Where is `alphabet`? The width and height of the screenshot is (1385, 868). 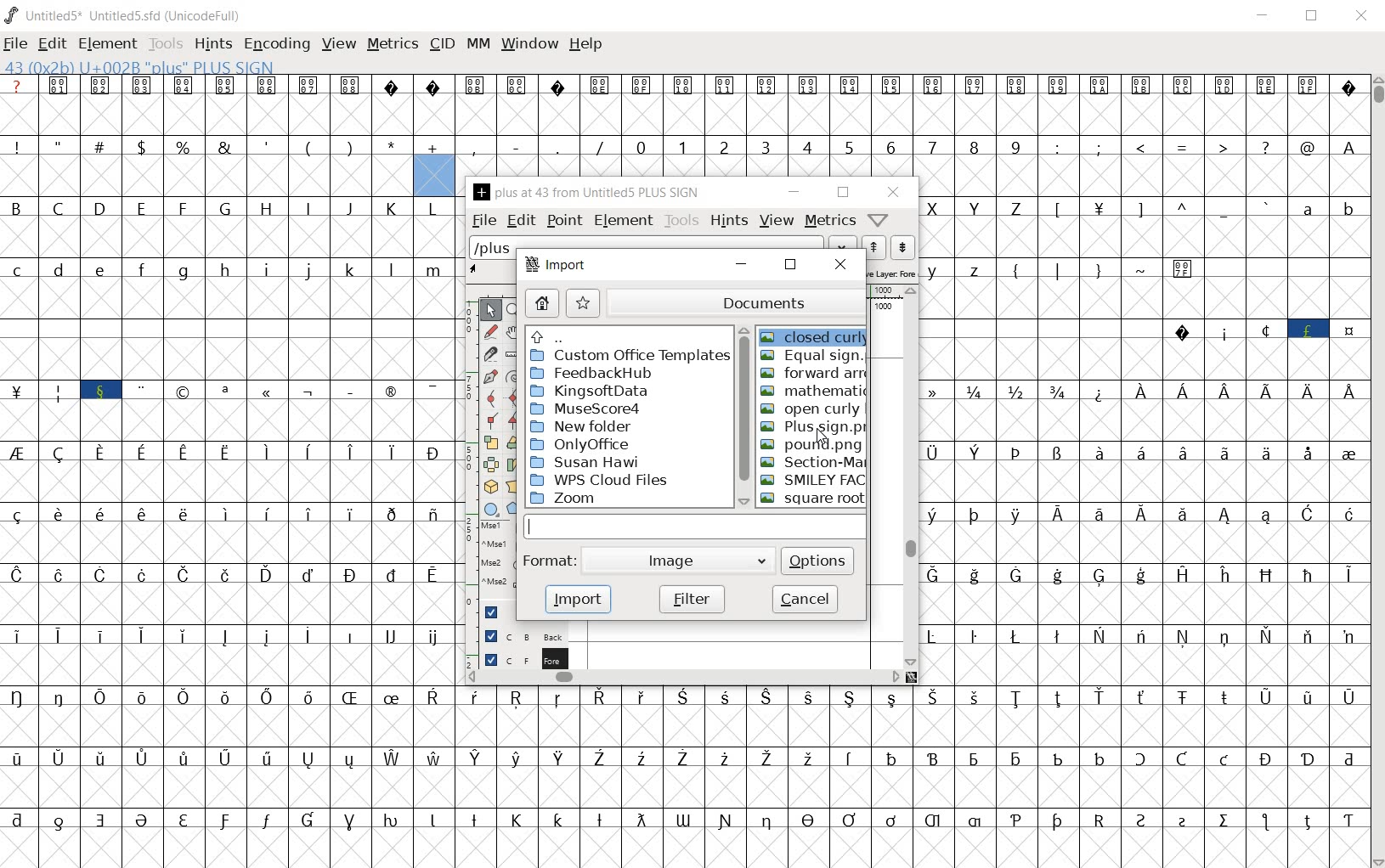
alphabet is located at coordinates (1328, 227).